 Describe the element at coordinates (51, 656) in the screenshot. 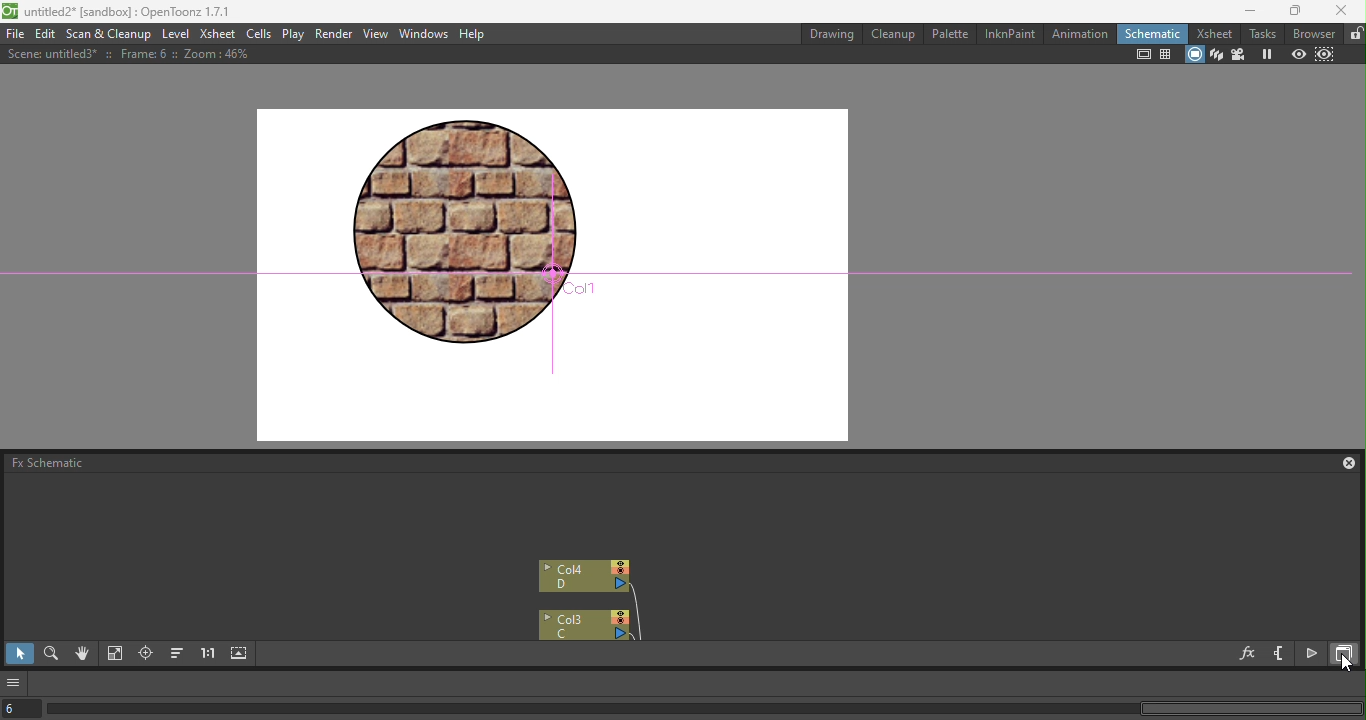

I see `Zoom mode` at that location.